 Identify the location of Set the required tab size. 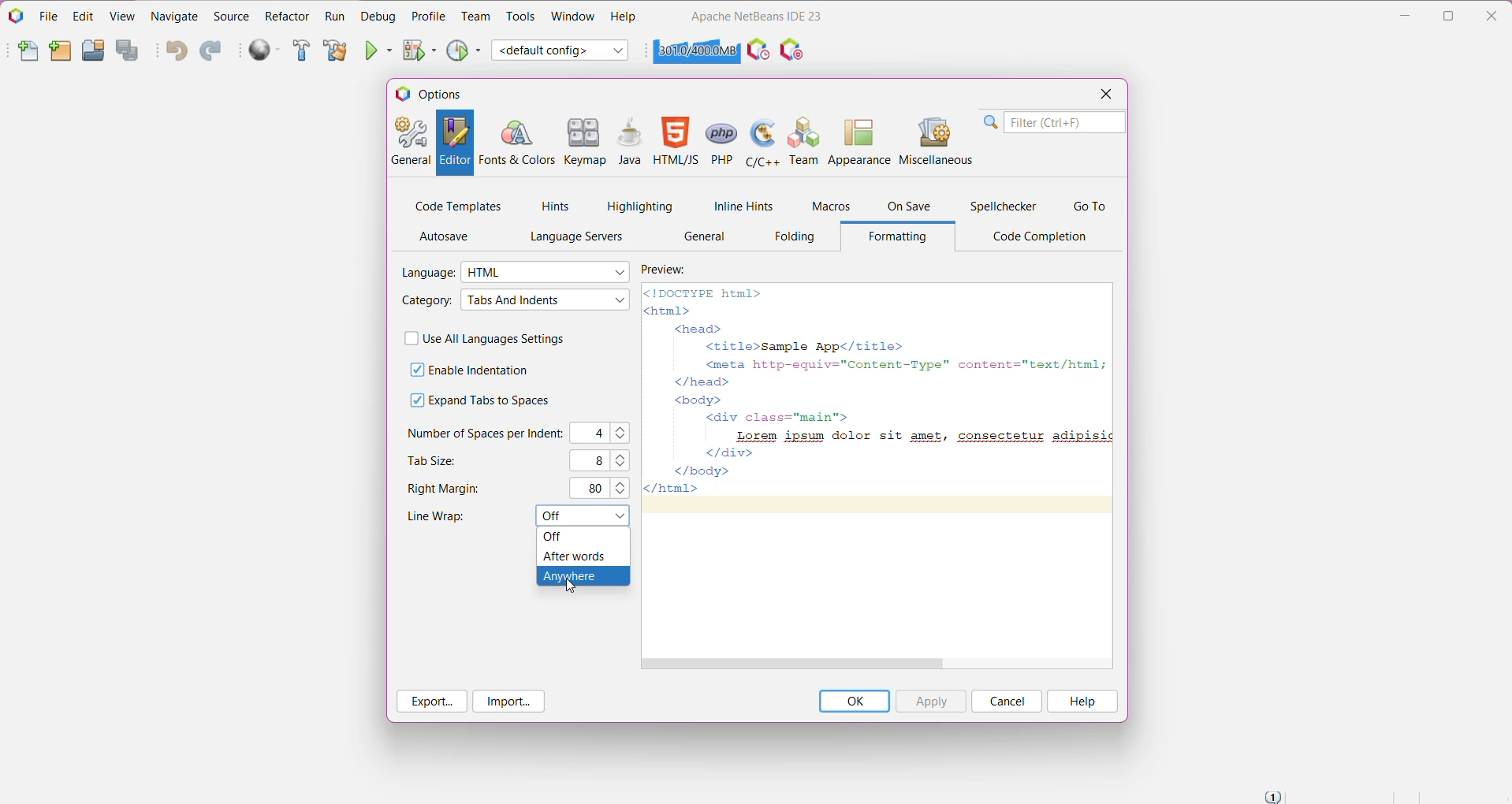
(623, 460).